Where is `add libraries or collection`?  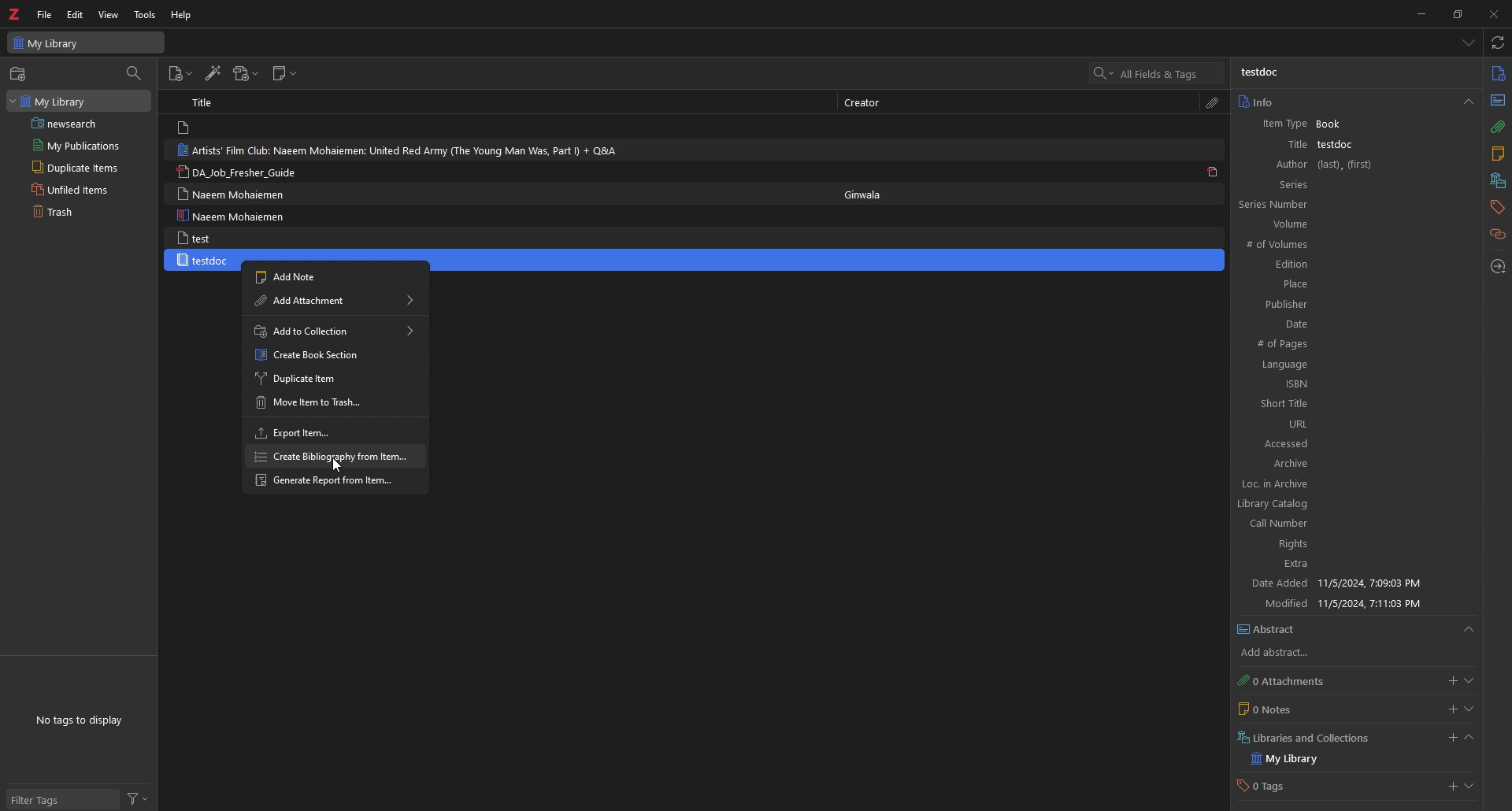 add libraries or collection is located at coordinates (1450, 740).